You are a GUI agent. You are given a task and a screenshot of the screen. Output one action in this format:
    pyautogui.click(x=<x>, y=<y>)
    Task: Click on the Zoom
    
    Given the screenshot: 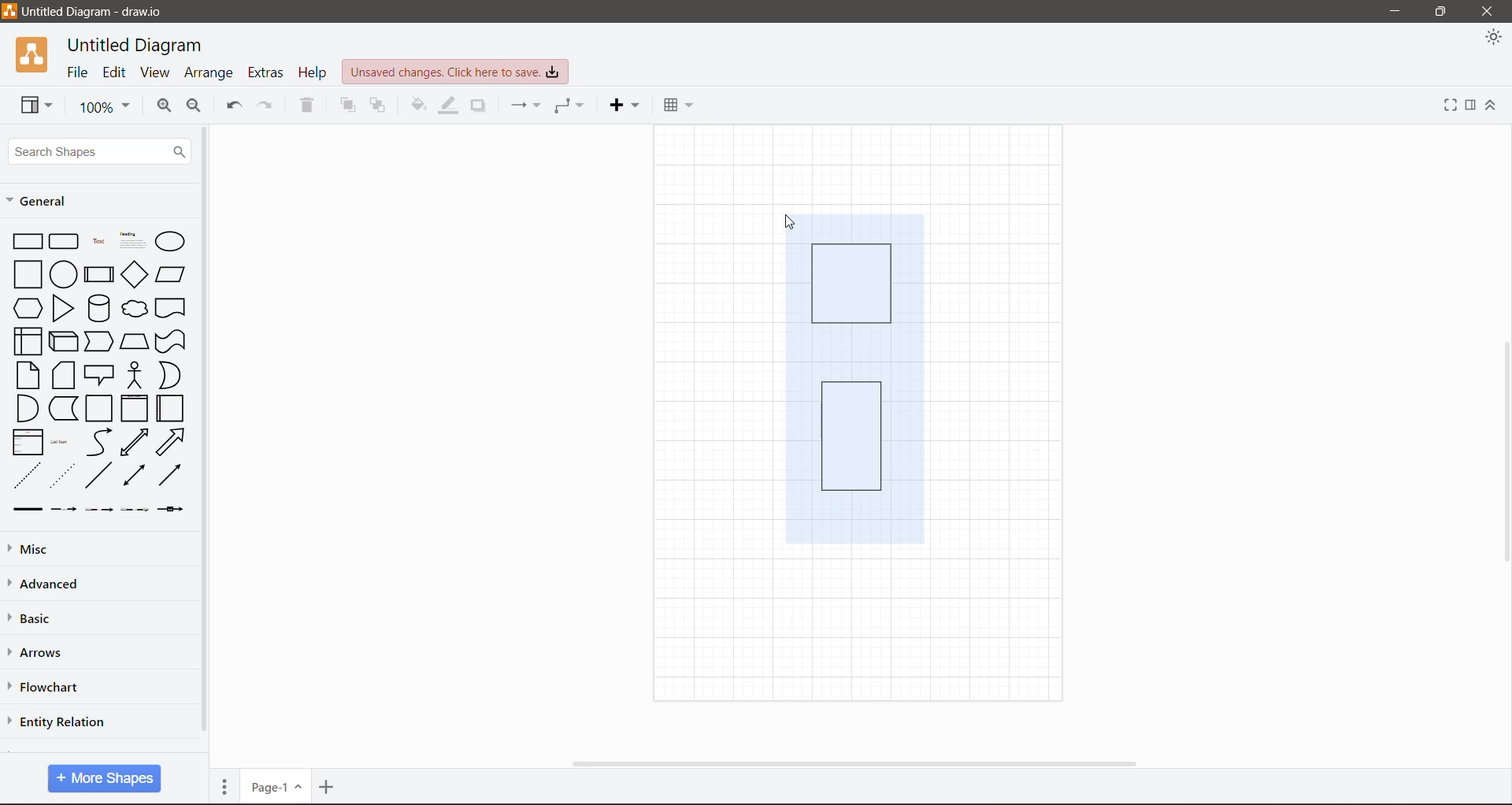 What is the action you would take?
    pyautogui.click(x=102, y=106)
    